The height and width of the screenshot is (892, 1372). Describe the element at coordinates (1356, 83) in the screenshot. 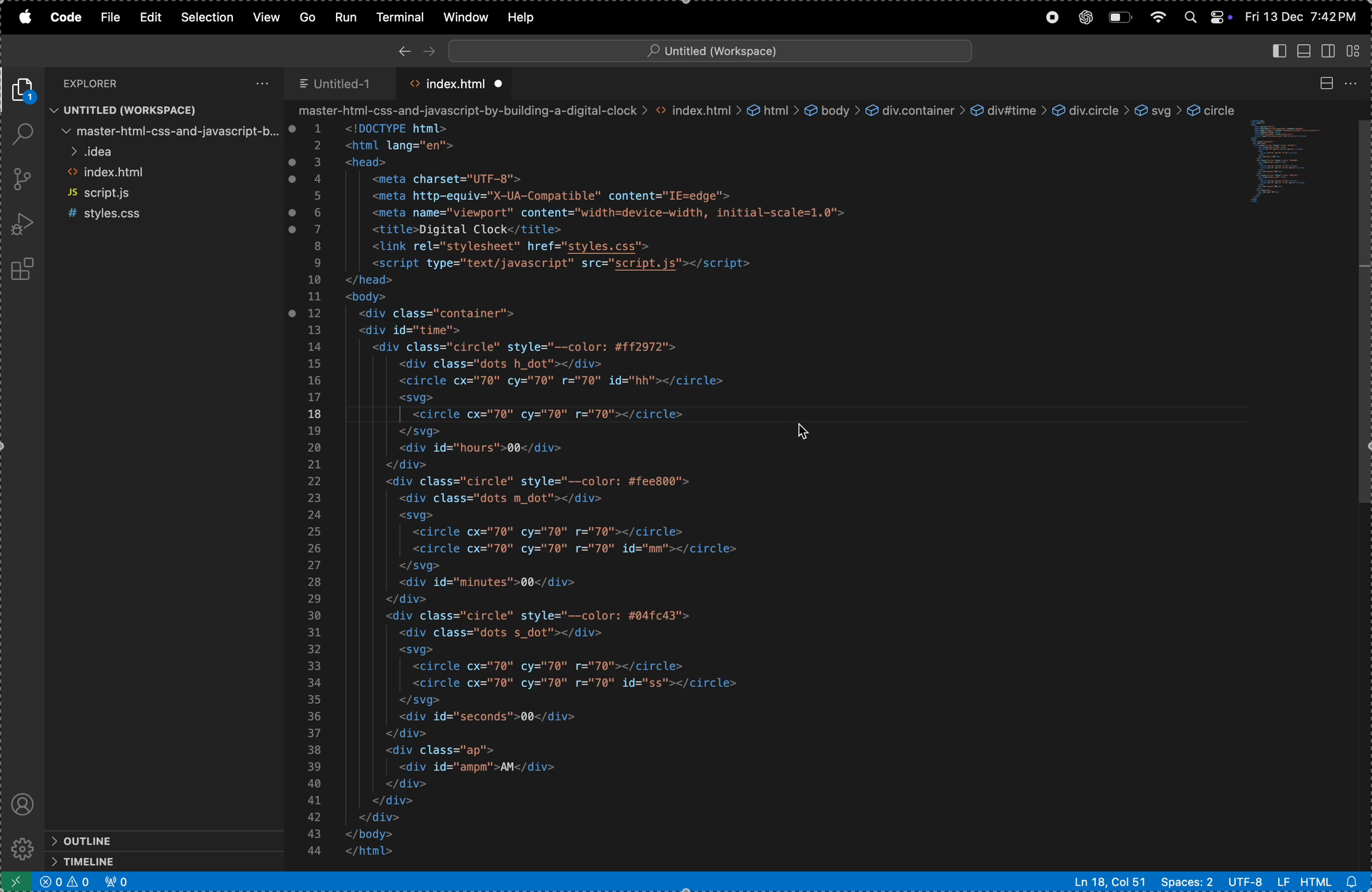

I see `options` at that location.